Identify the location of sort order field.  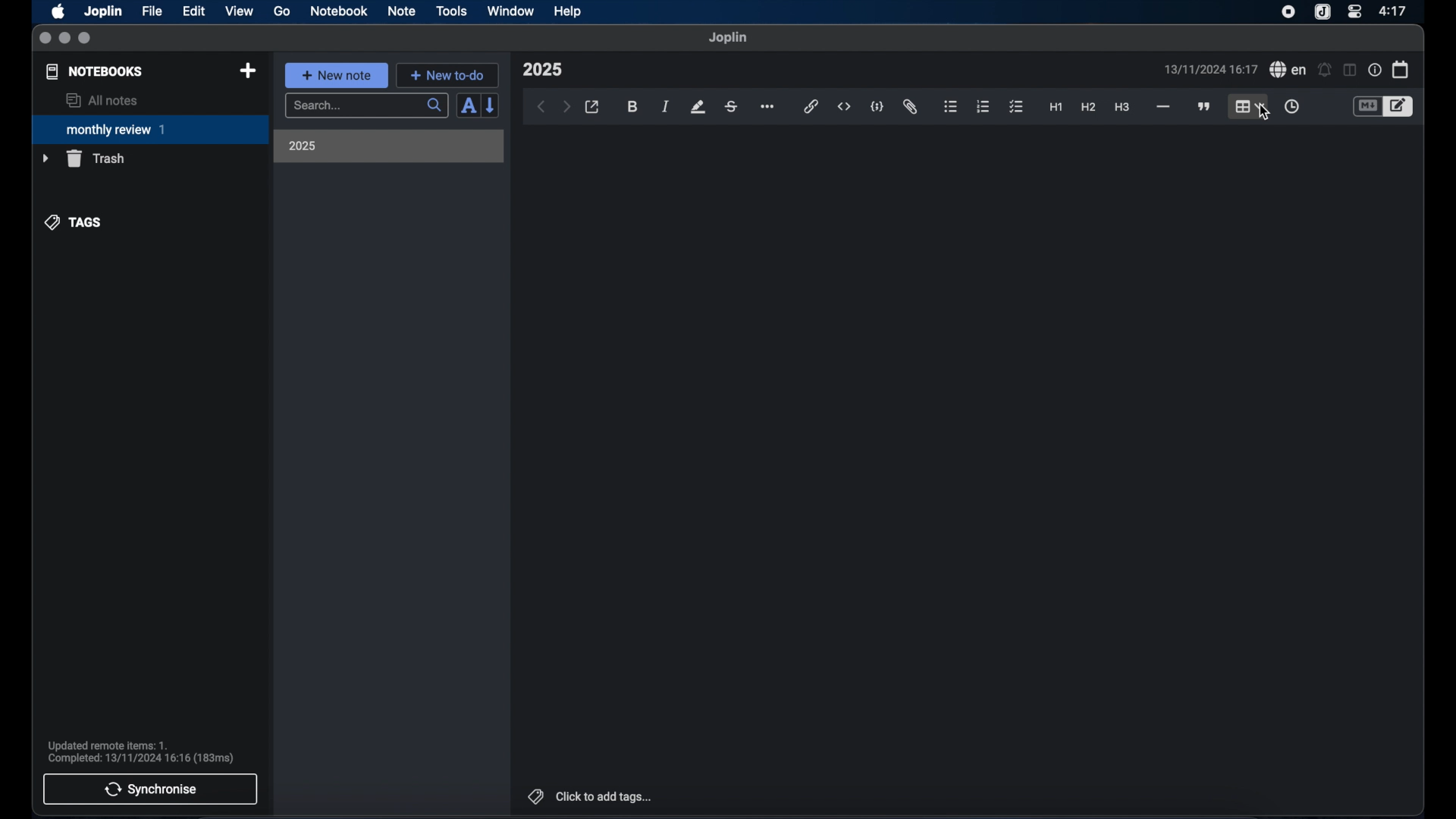
(468, 106).